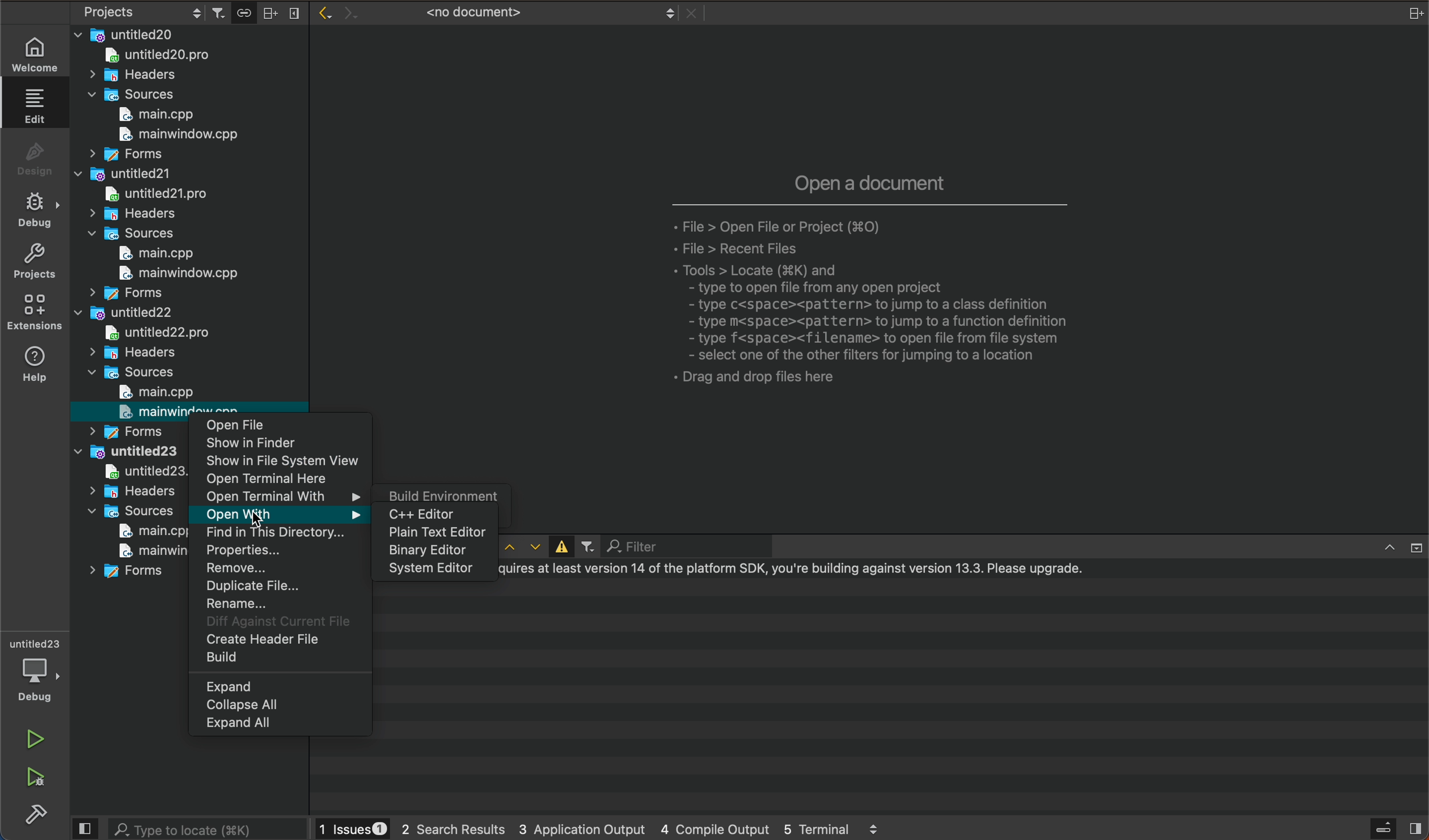 This screenshot has height=840, width=1429. Describe the element at coordinates (122, 173) in the screenshot. I see `untitled21` at that location.